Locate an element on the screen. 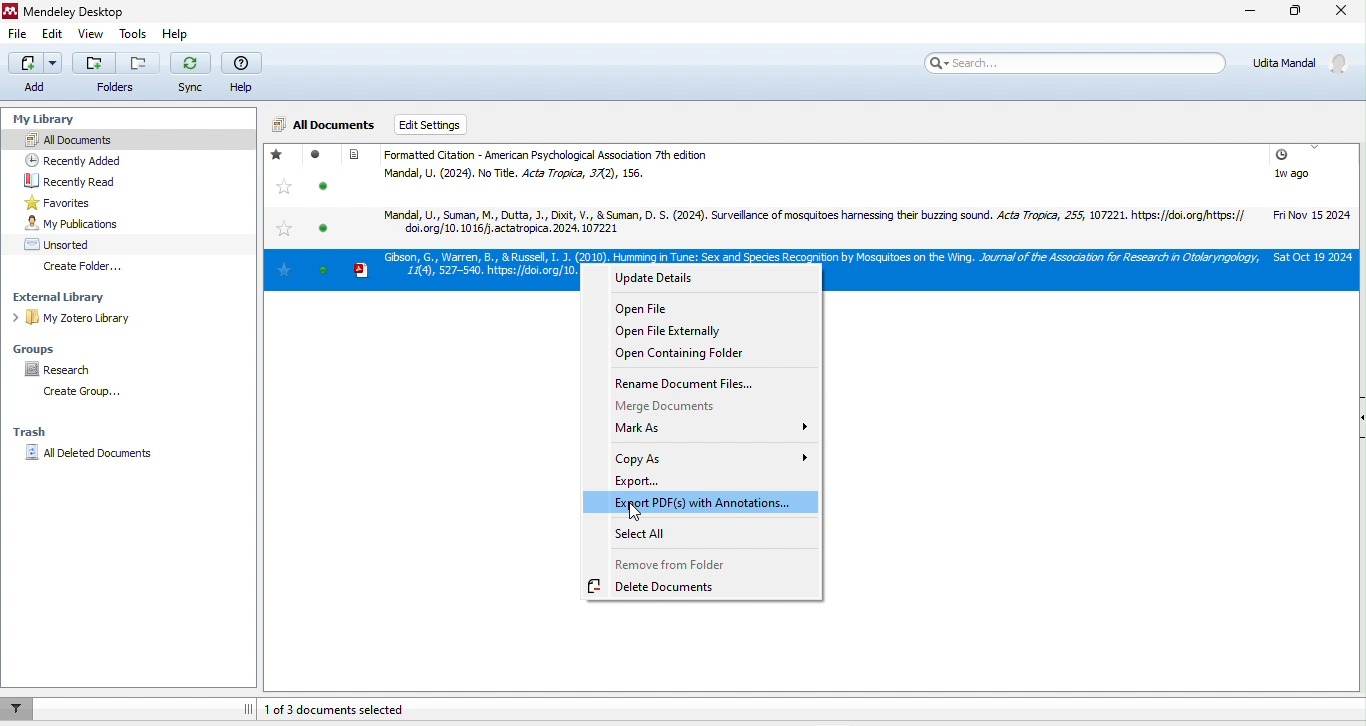 The height and width of the screenshot is (726, 1366). my zotero library is located at coordinates (76, 319).